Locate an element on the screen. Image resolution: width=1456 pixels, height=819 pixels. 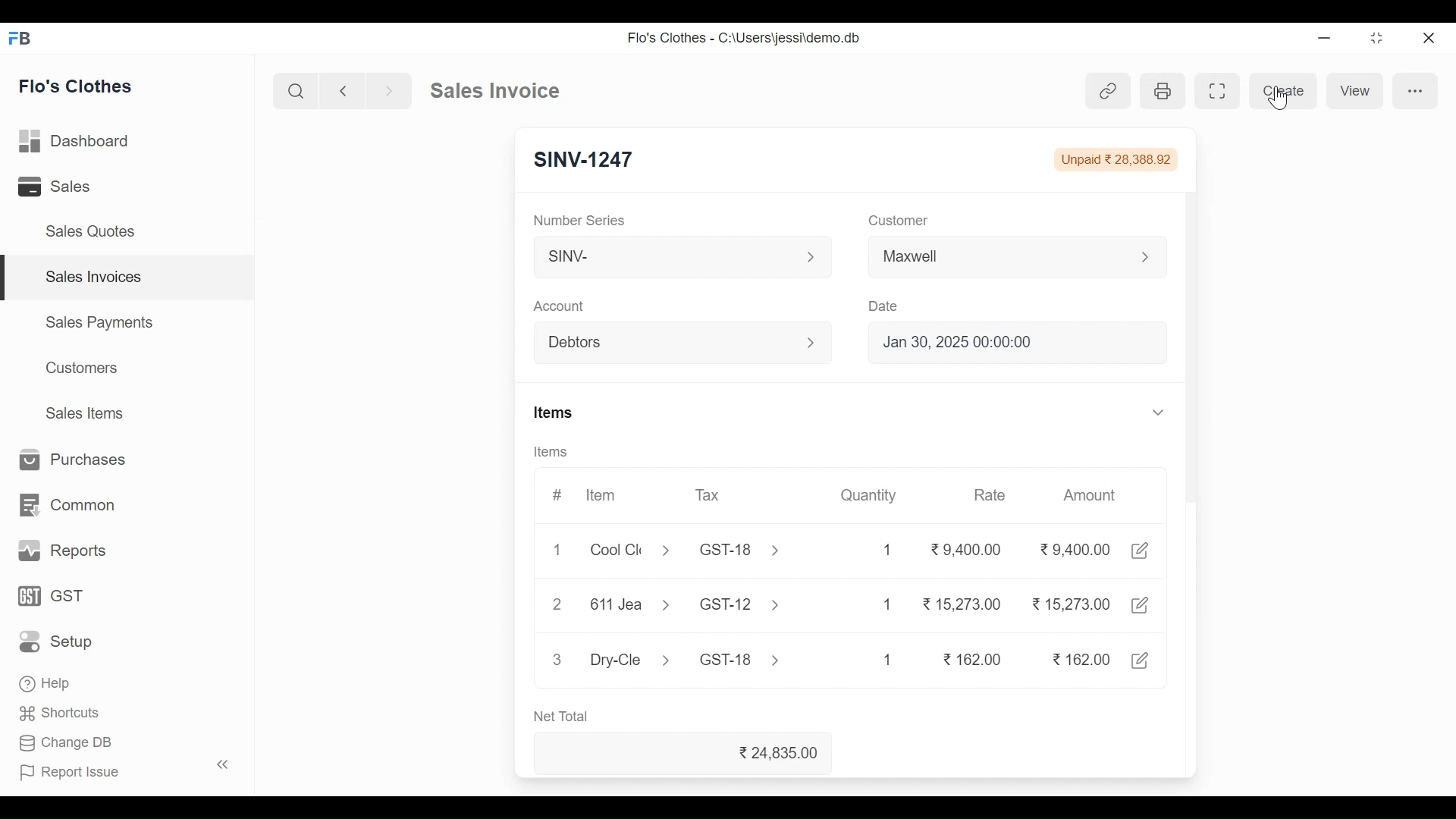
Quantity is located at coordinates (875, 495).